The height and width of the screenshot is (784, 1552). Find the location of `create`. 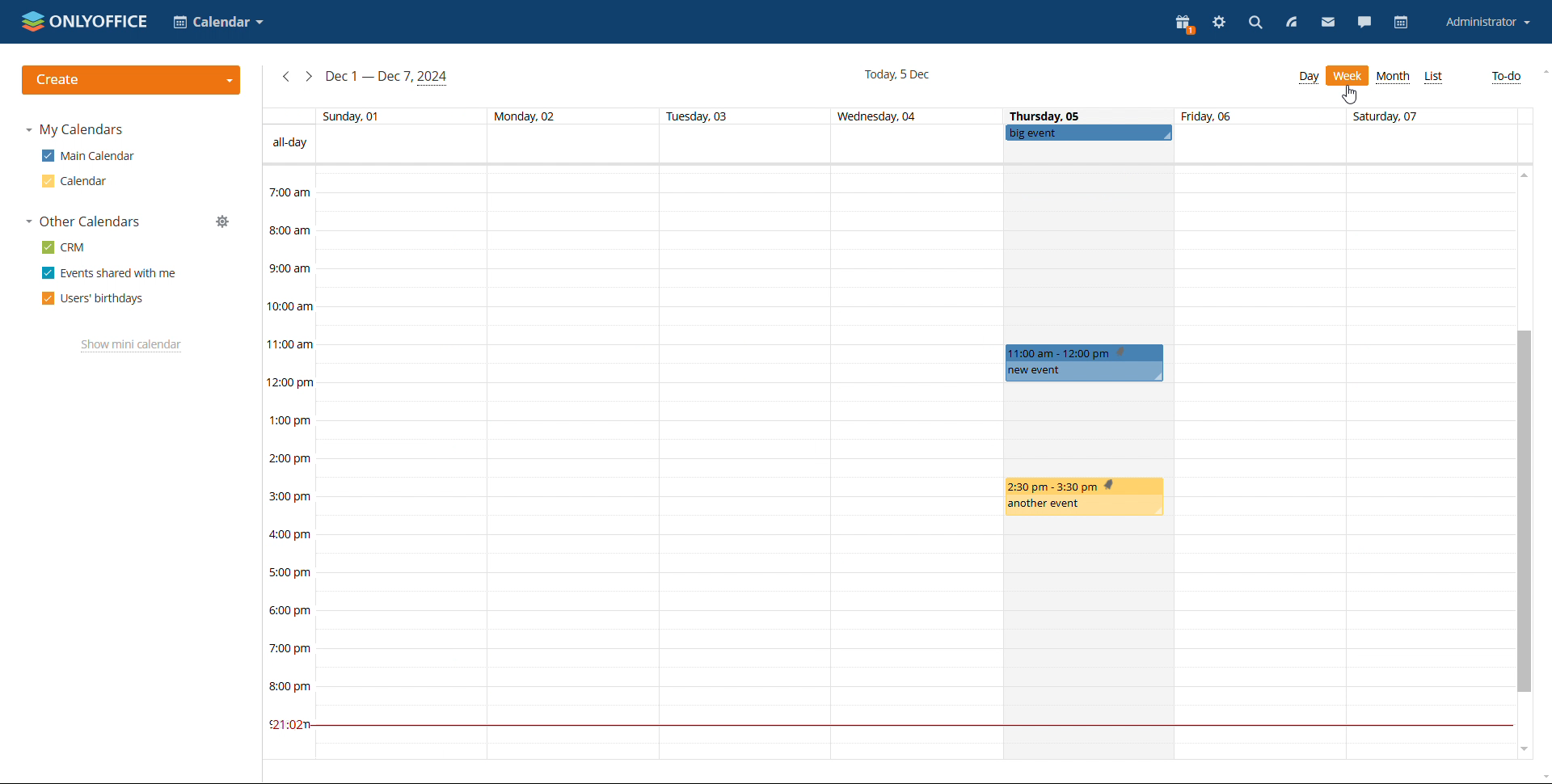

create is located at coordinates (132, 80).